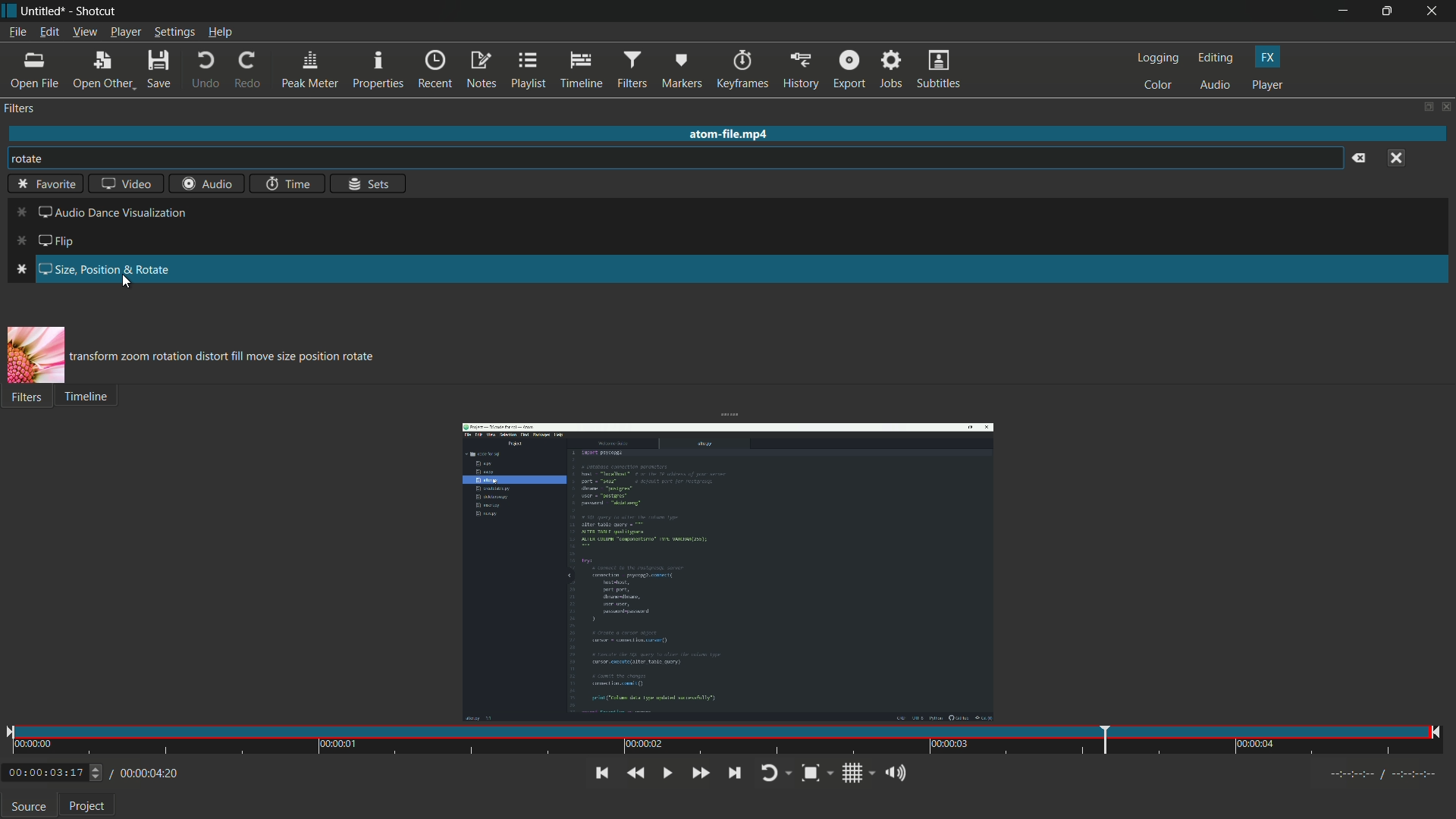 This screenshot has height=819, width=1456. Describe the element at coordinates (734, 773) in the screenshot. I see `skip to the next point` at that location.